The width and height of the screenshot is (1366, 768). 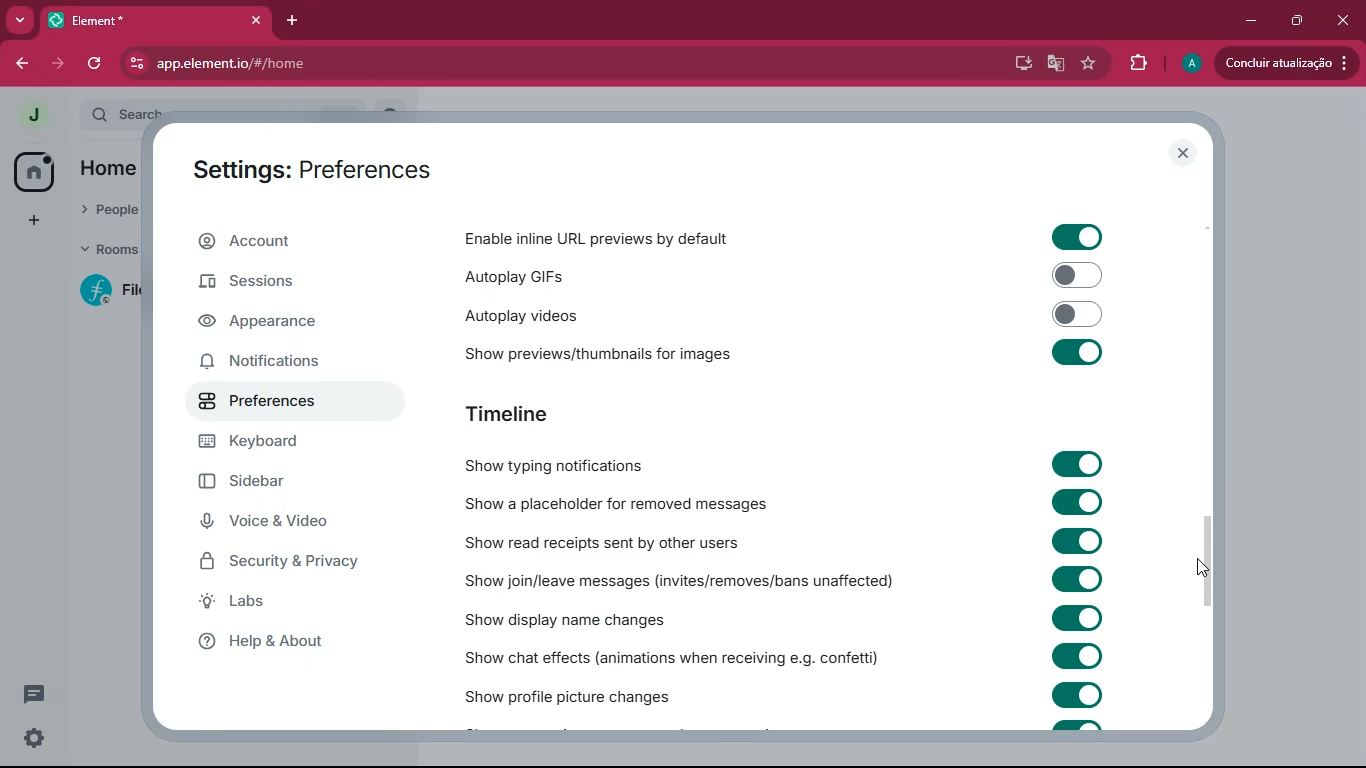 I want to click on extensions, so click(x=1135, y=64).